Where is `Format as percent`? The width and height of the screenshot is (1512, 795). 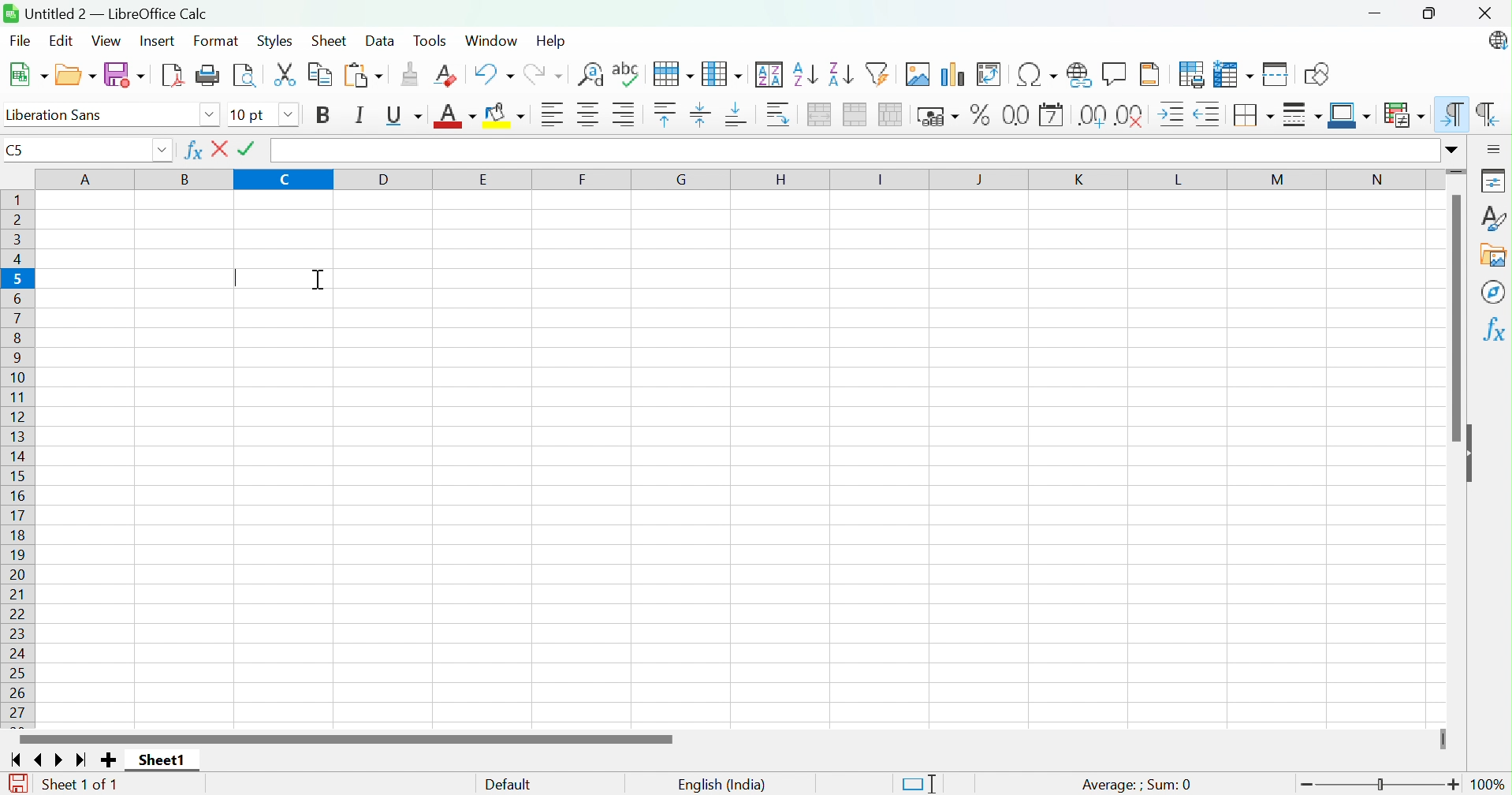 Format as percent is located at coordinates (982, 114).